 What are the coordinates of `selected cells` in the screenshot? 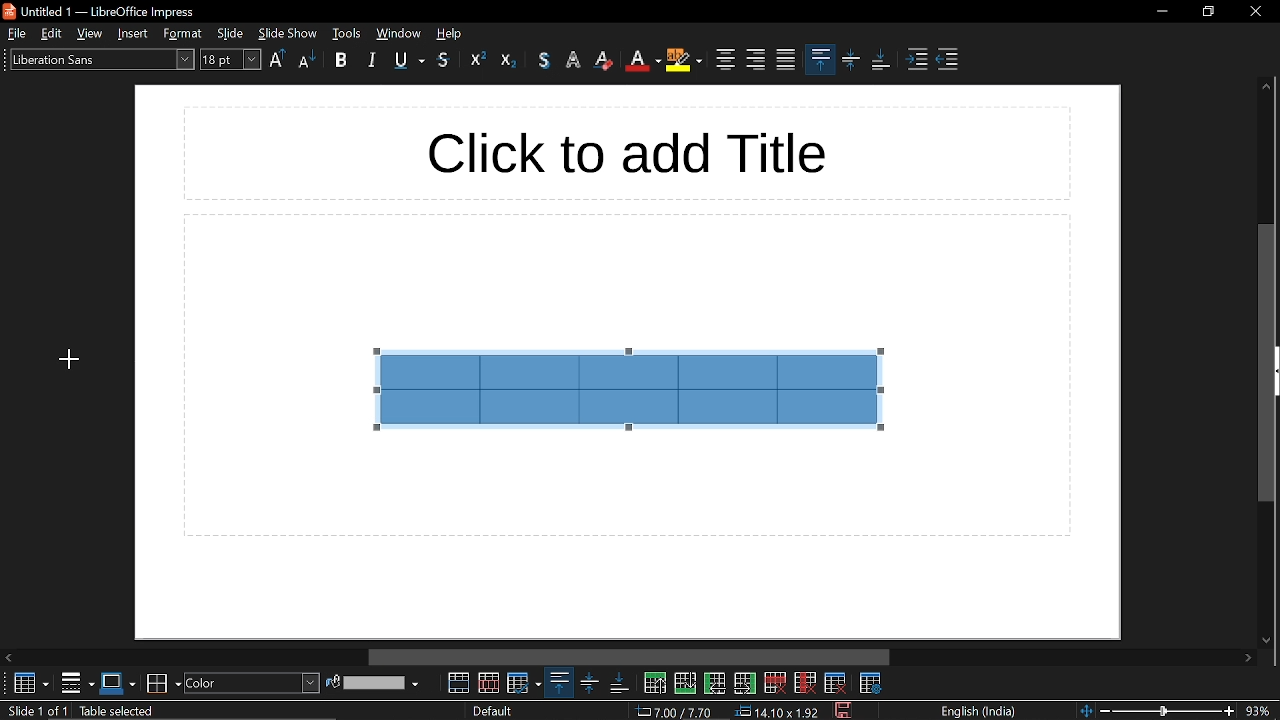 It's located at (636, 386).